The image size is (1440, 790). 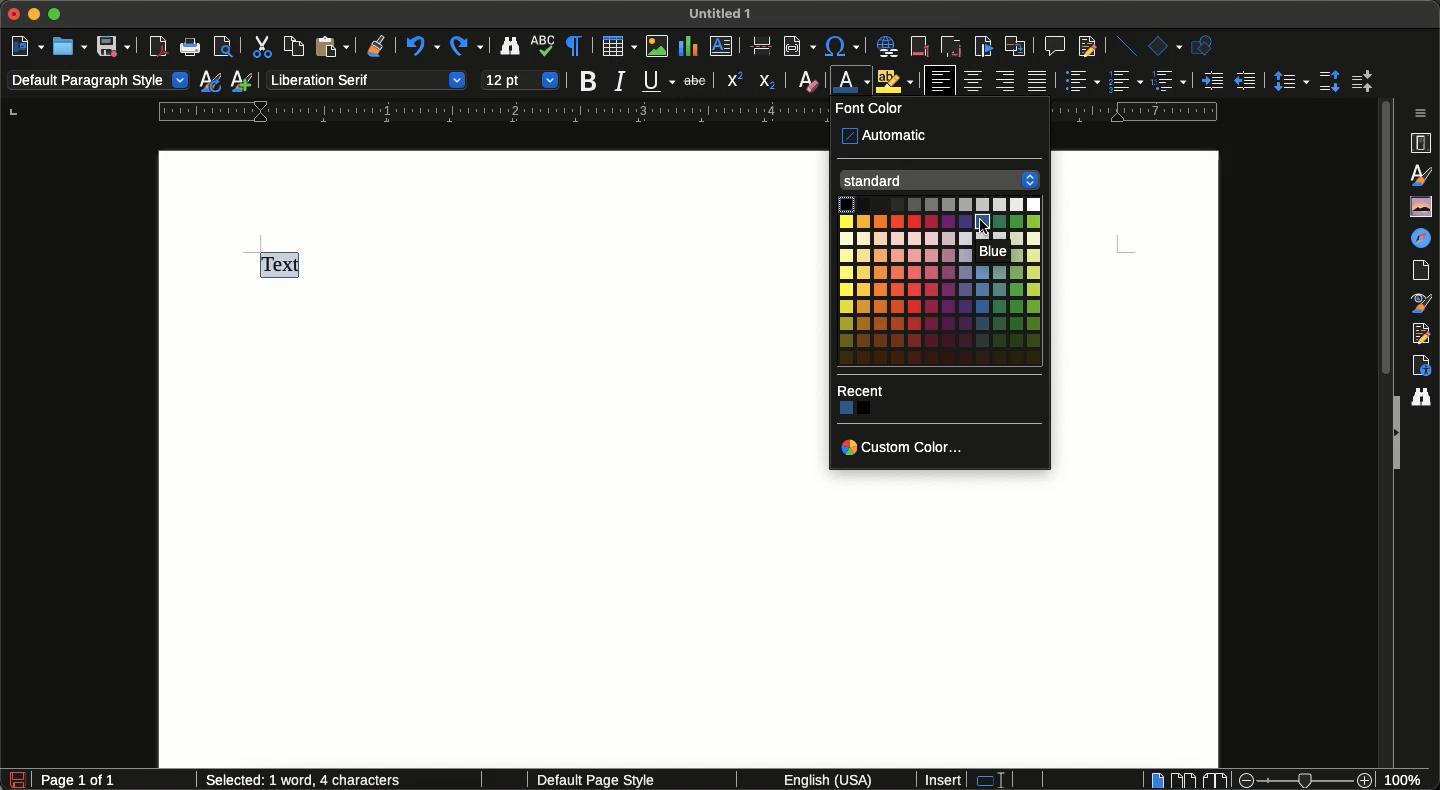 What do you see at coordinates (1425, 238) in the screenshot?
I see `Navigator` at bounding box center [1425, 238].